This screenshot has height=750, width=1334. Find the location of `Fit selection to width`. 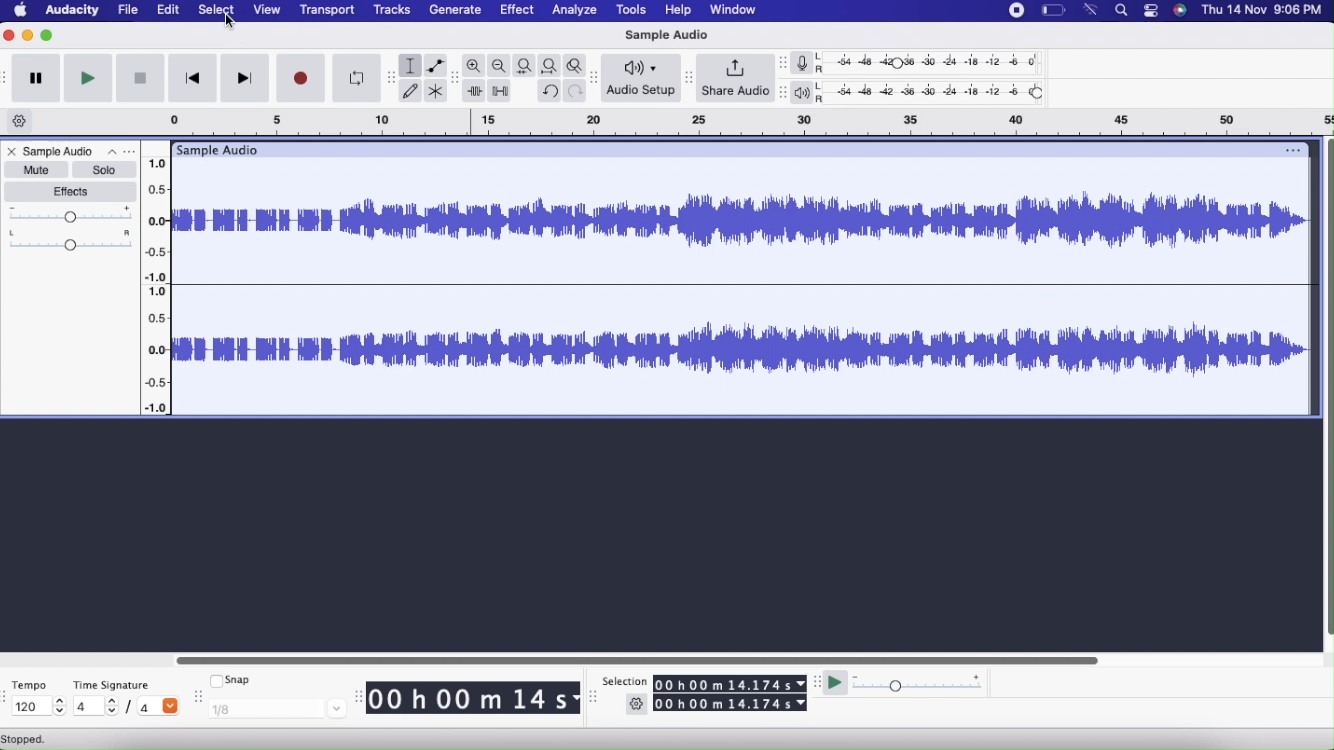

Fit selection to width is located at coordinates (526, 64).